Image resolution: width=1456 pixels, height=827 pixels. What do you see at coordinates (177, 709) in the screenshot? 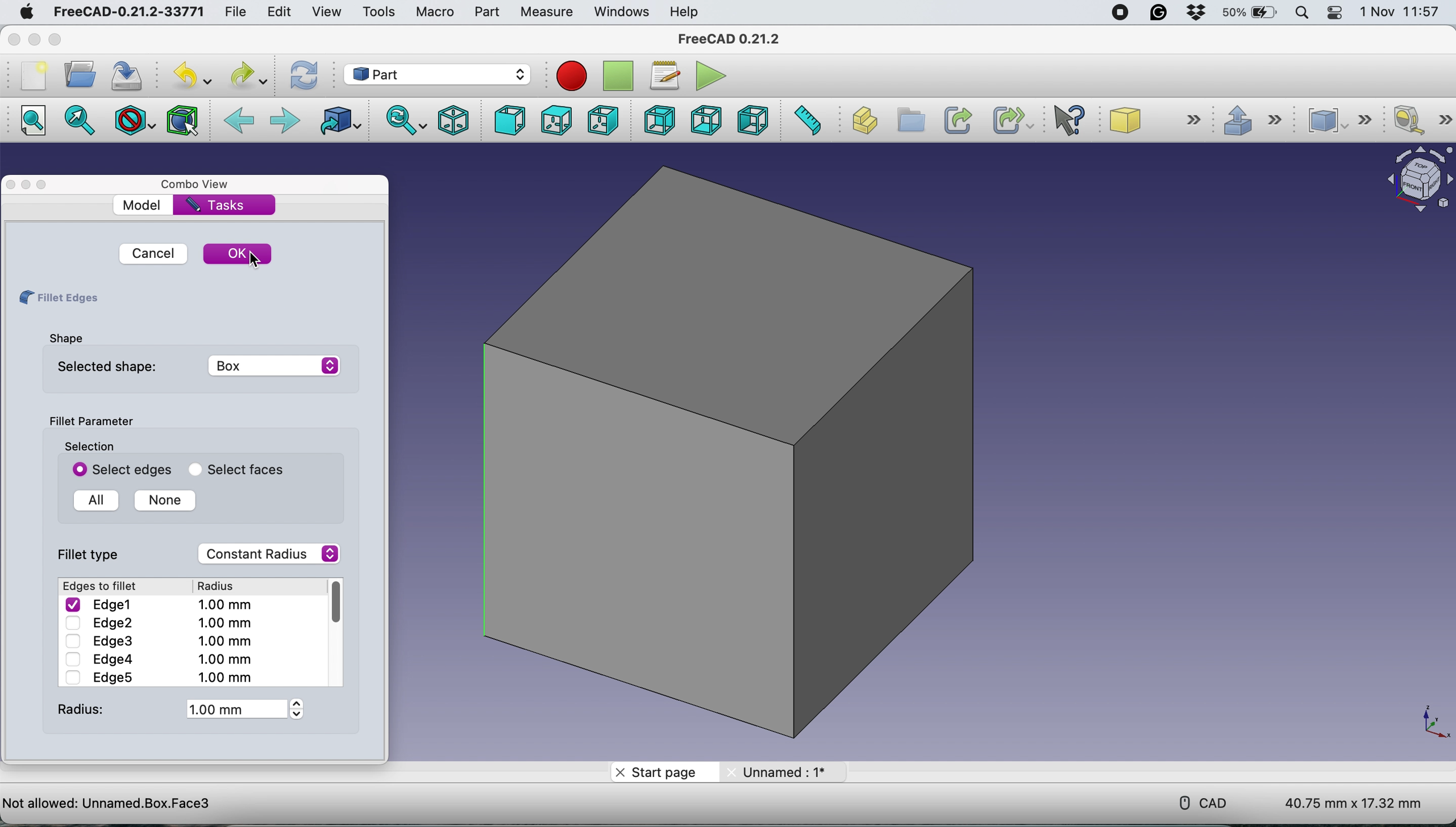
I see `Radius` at bounding box center [177, 709].